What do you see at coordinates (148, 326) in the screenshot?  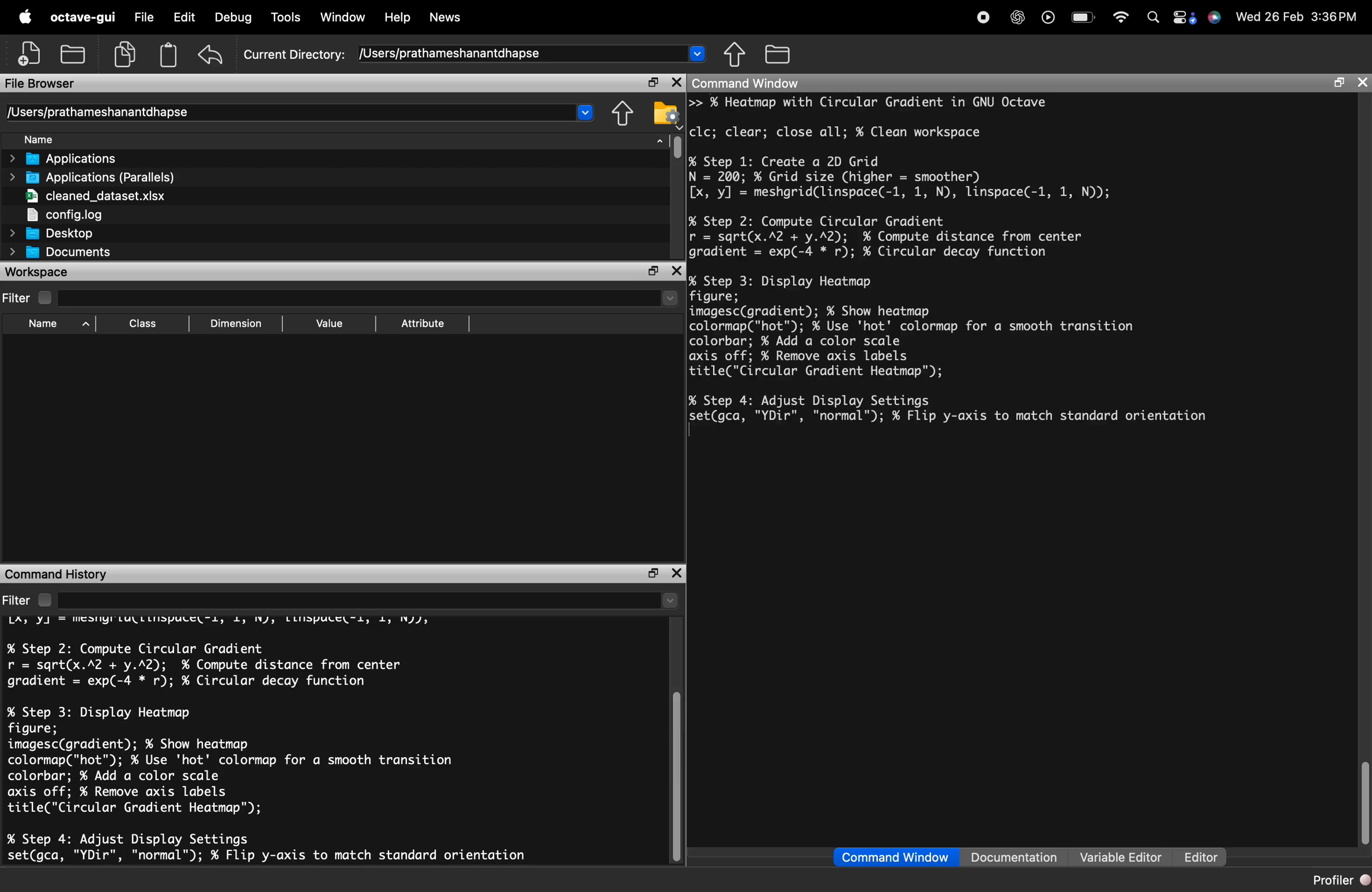 I see `Class` at bounding box center [148, 326].